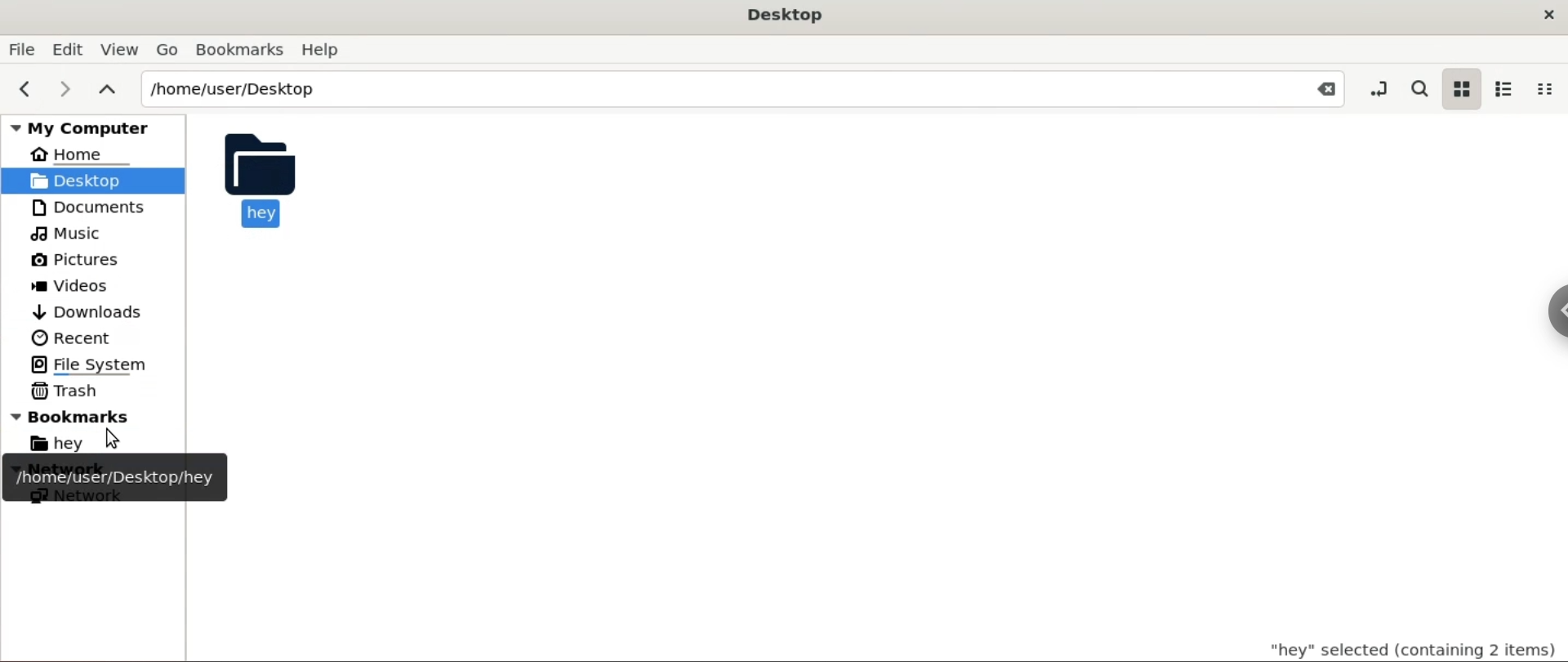 The width and height of the screenshot is (1568, 662). What do you see at coordinates (88, 311) in the screenshot?
I see `Downloads` at bounding box center [88, 311].